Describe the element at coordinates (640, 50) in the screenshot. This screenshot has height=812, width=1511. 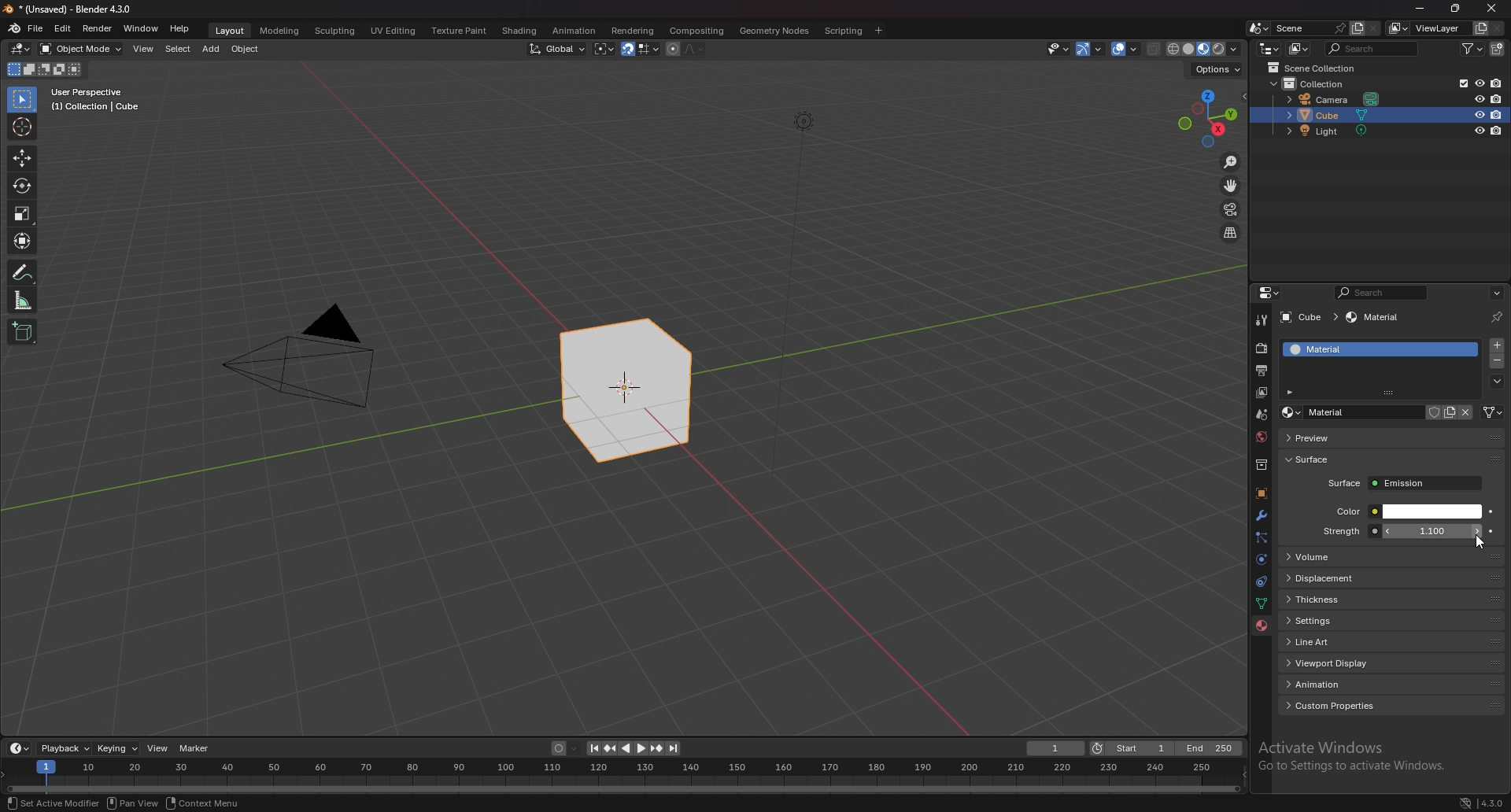
I see `snapping` at that location.